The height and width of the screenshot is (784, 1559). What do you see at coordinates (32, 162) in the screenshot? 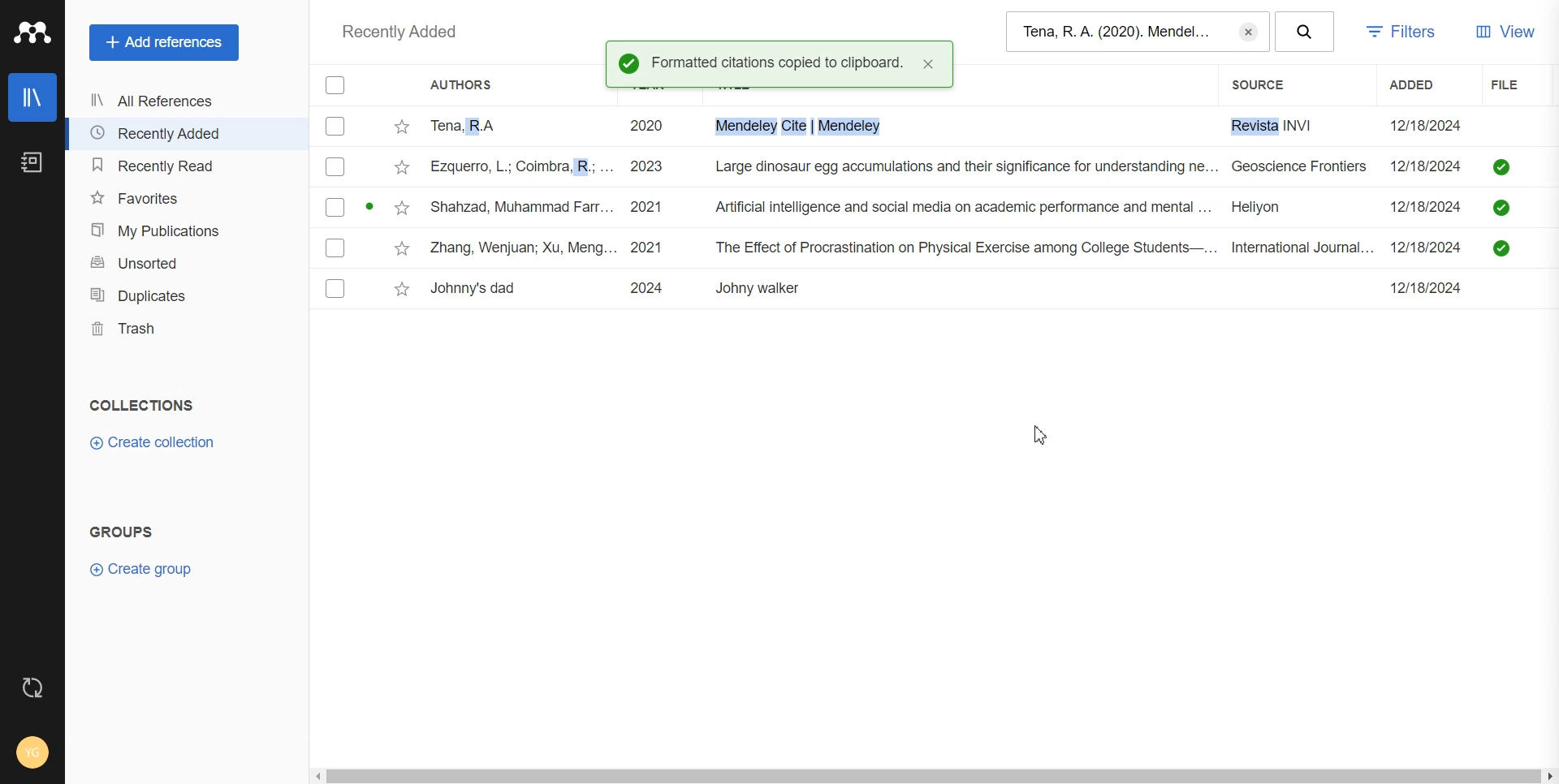
I see `Notebook` at bounding box center [32, 162].